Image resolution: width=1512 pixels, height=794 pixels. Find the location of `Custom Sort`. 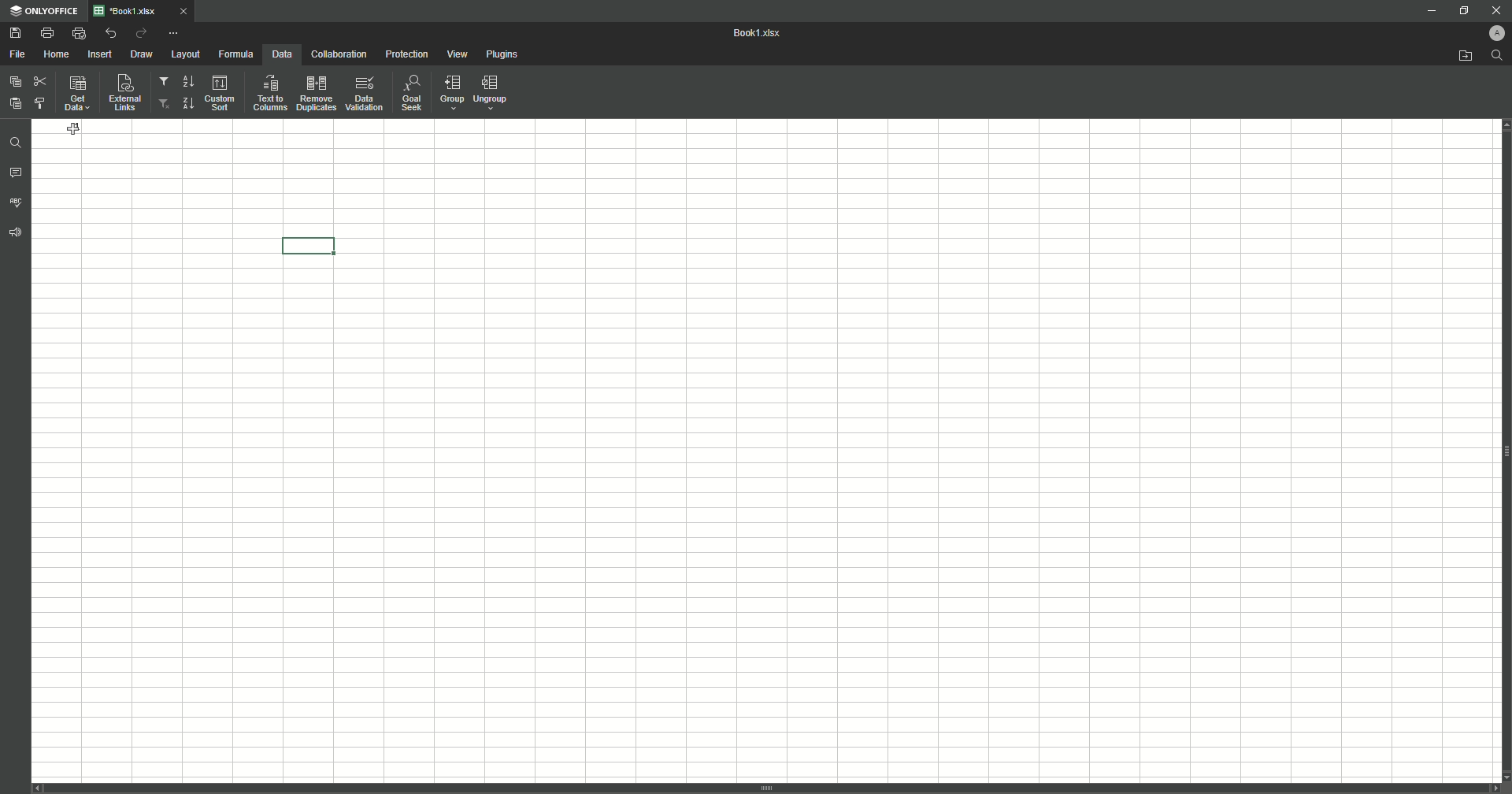

Custom Sort is located at coordinates (221, 94).